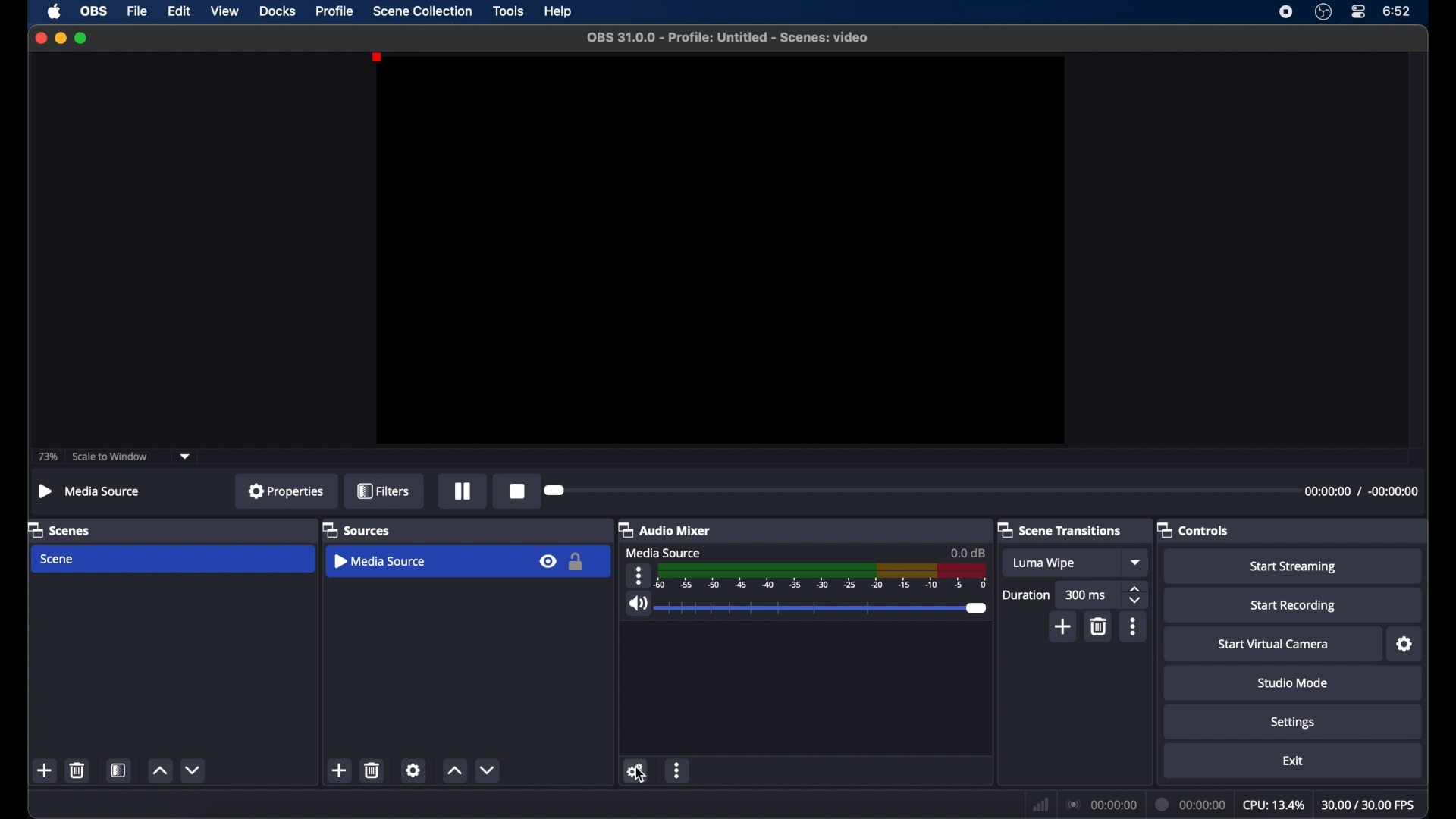 The image size is (1456, 819). What do you see at coordinates (1291, 722) in the screenshot?
I see `settings` at bounding box center [1291, 722].